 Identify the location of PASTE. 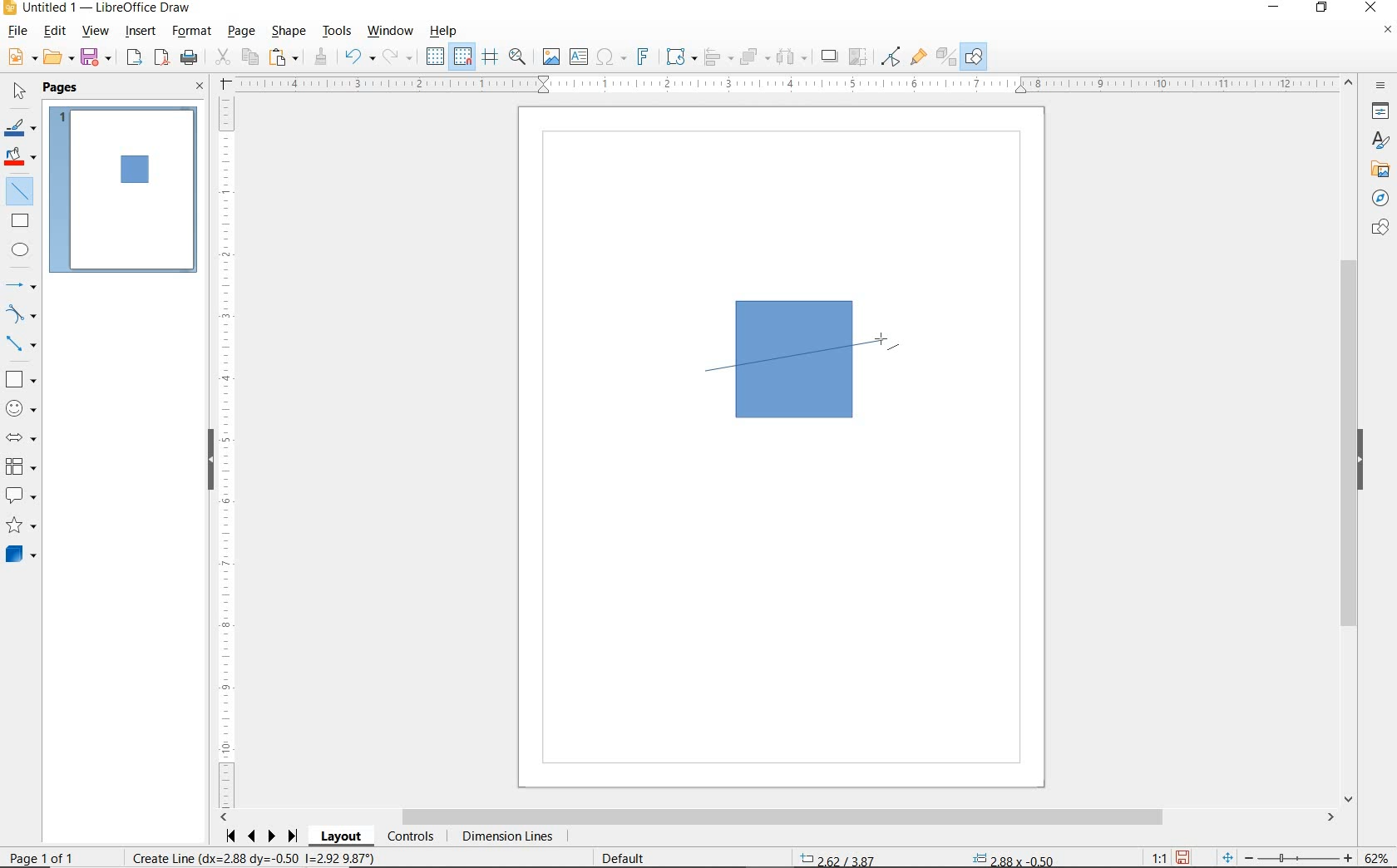
(284, 57).